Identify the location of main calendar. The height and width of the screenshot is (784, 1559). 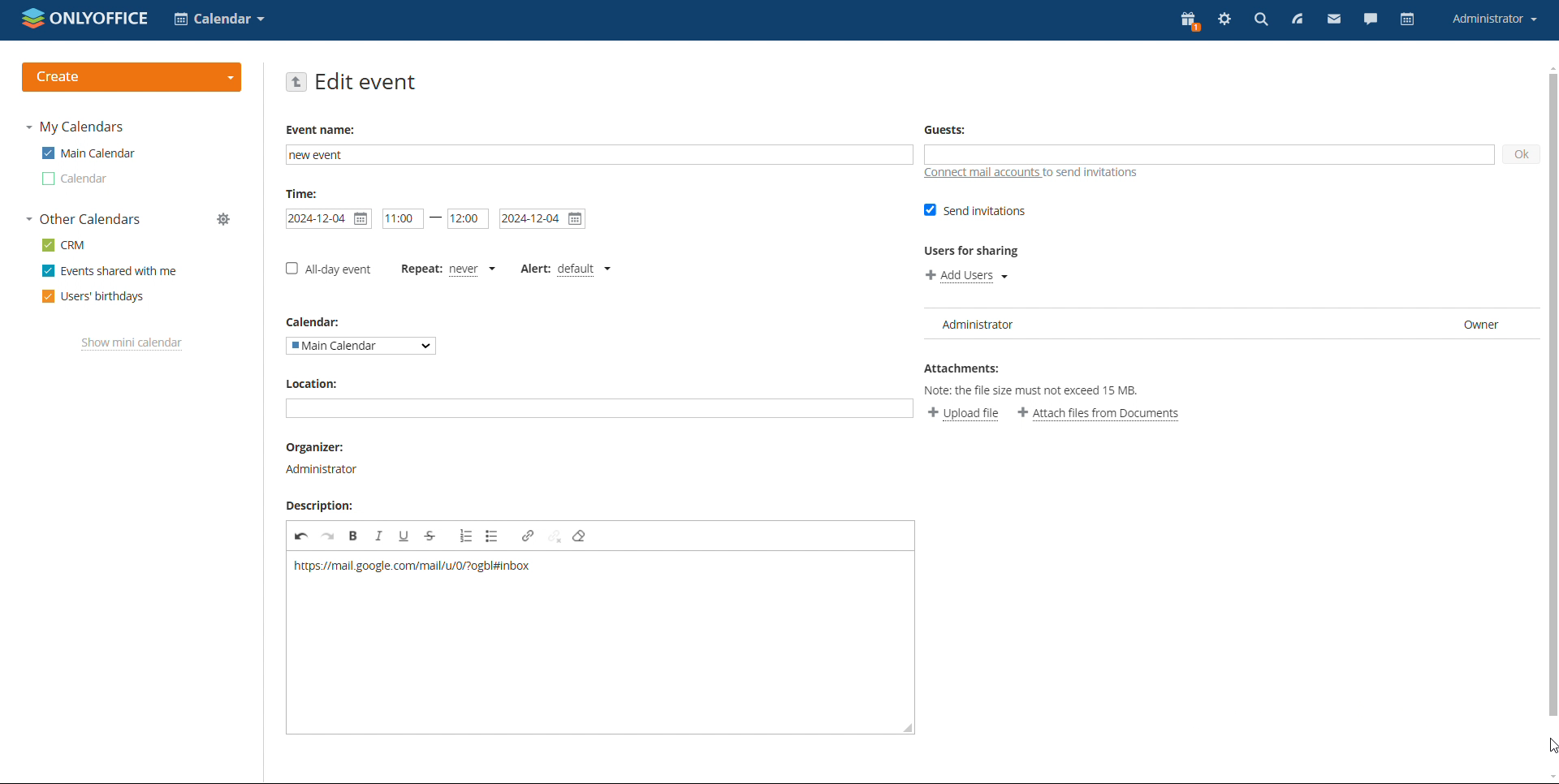
(87, 153).